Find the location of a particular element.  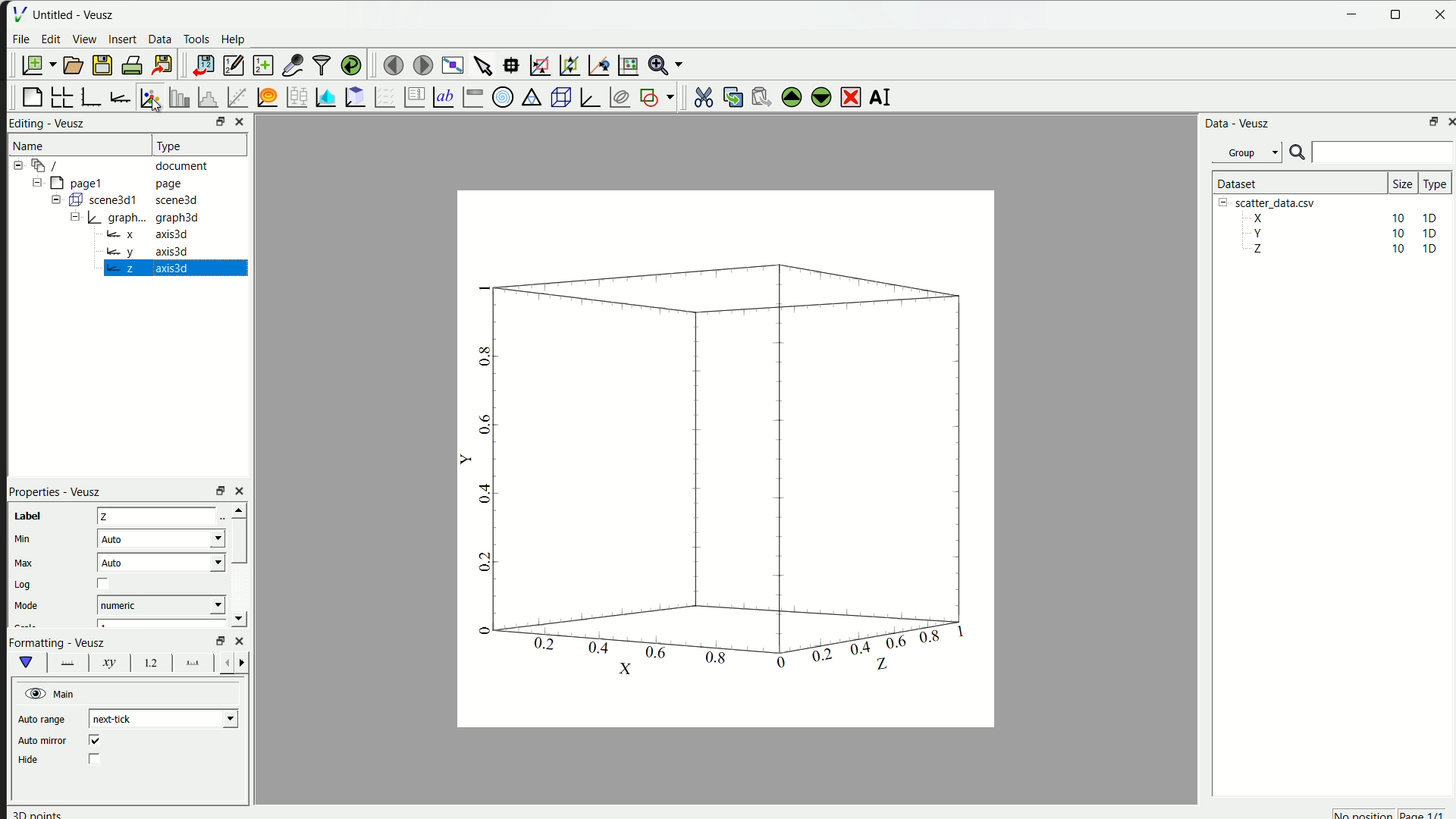

plot function is located at coordinates (265, 97).